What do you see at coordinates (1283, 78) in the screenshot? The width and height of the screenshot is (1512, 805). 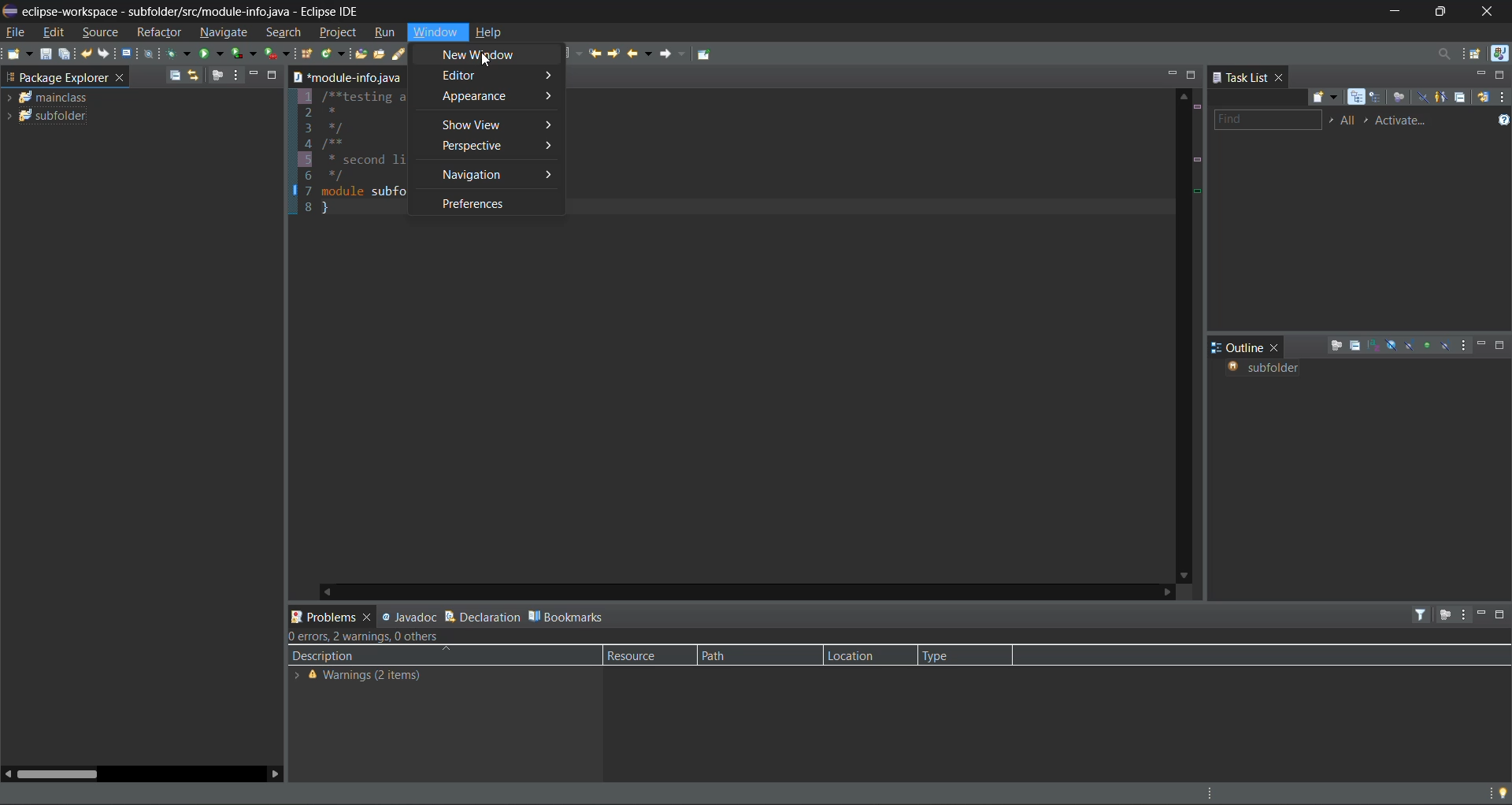 I see `close` at bounding box center [1283, 78].